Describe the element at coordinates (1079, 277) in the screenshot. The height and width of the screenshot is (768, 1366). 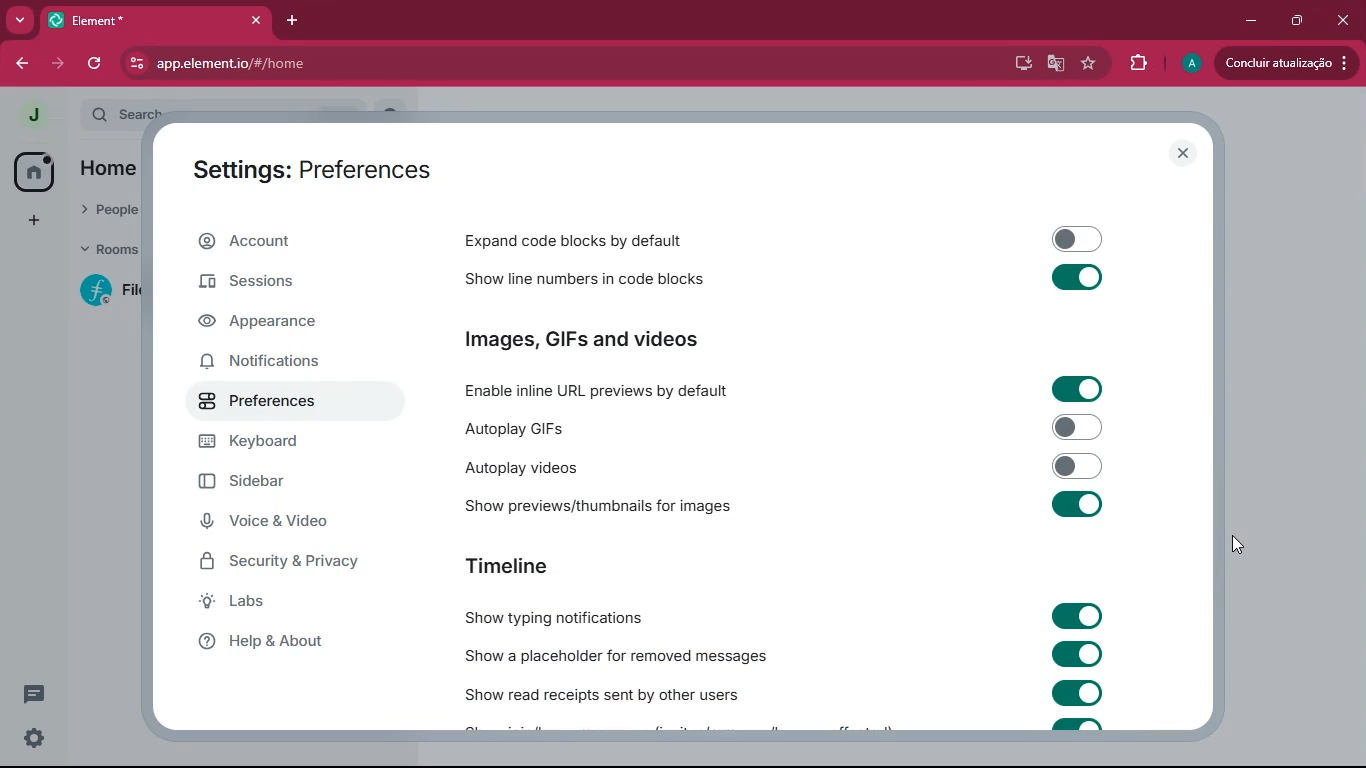
I see `toggle on/off` at that location.